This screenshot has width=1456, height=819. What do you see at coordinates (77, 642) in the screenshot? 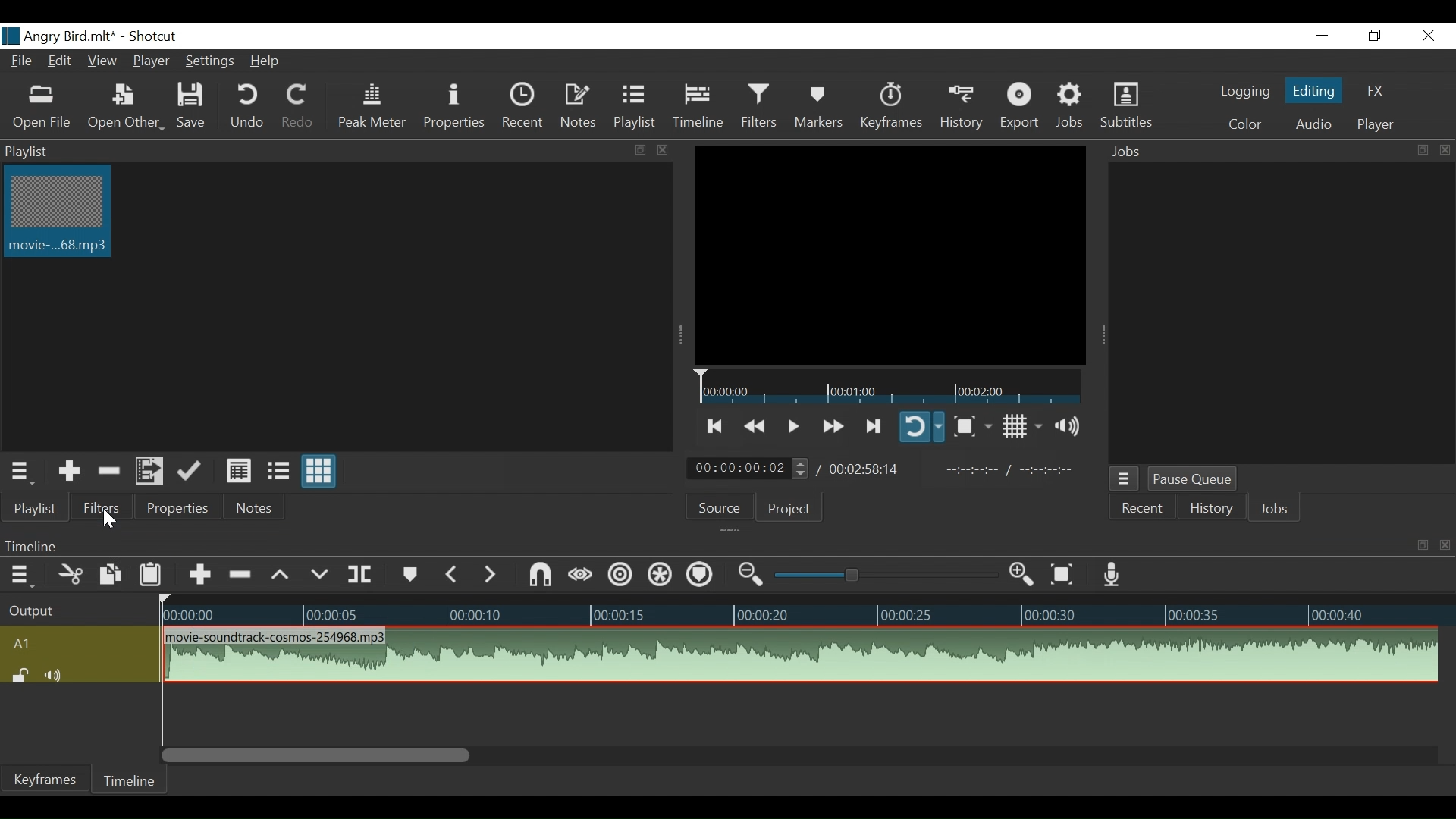
I see `A1` at bounding box center [77, 642].